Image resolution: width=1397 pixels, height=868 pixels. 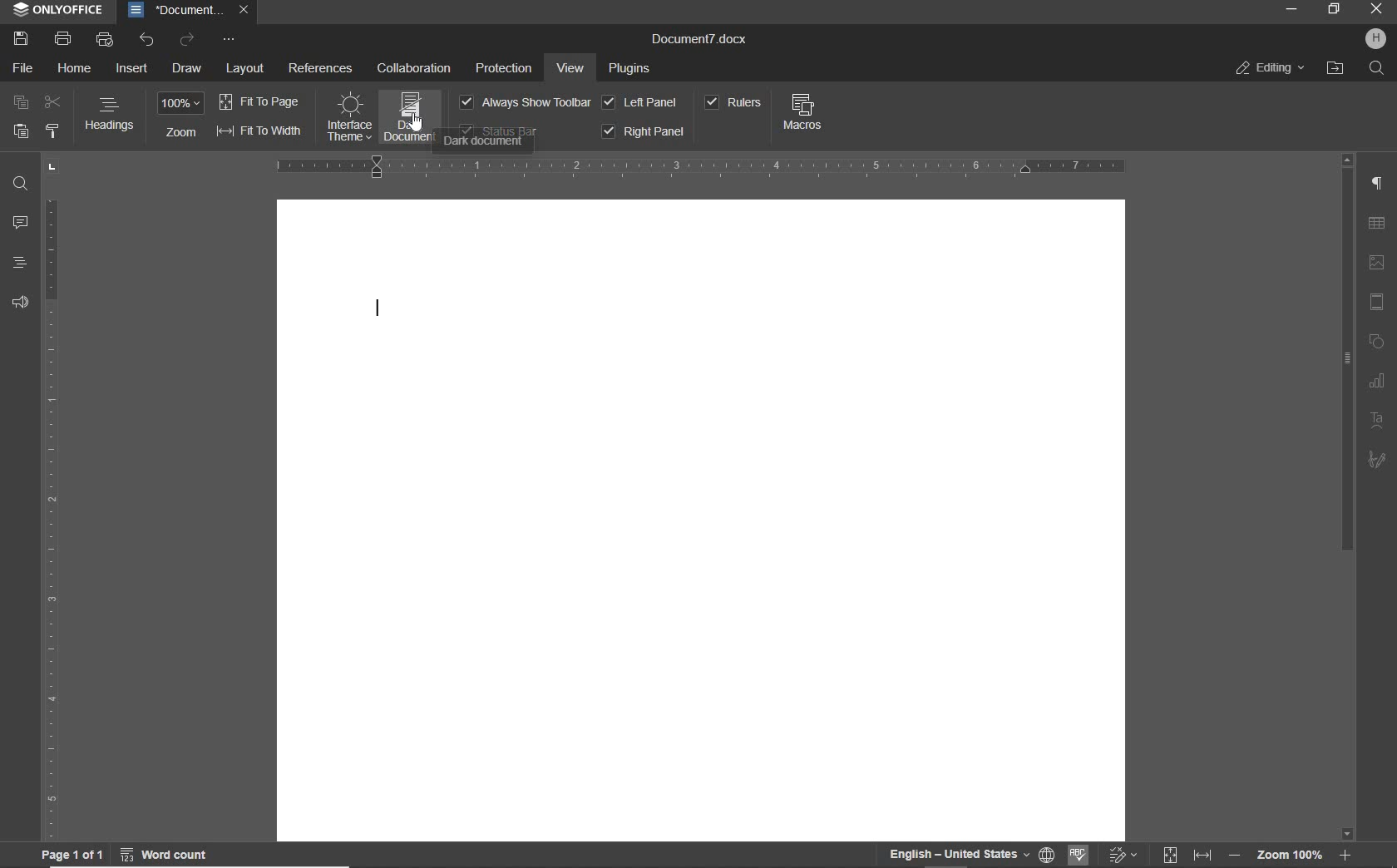 What do you see at coordinates (1378, 223) in the screenshot?
I see `TABLE` at bounding box center [1378, 223].